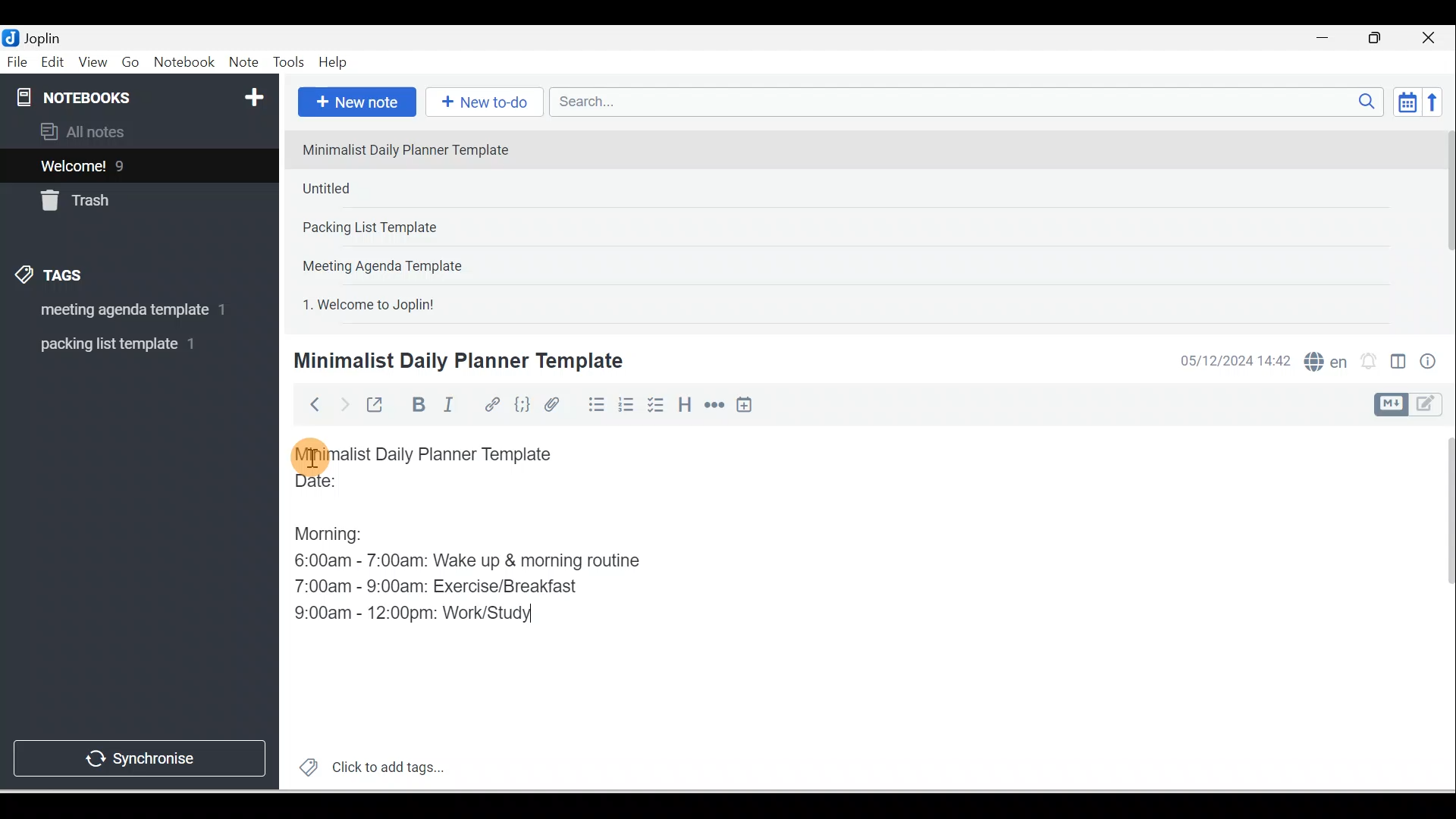  Describe the element at coordinates (128, 344) in the screenshot. I see `Tag 2` at that location.